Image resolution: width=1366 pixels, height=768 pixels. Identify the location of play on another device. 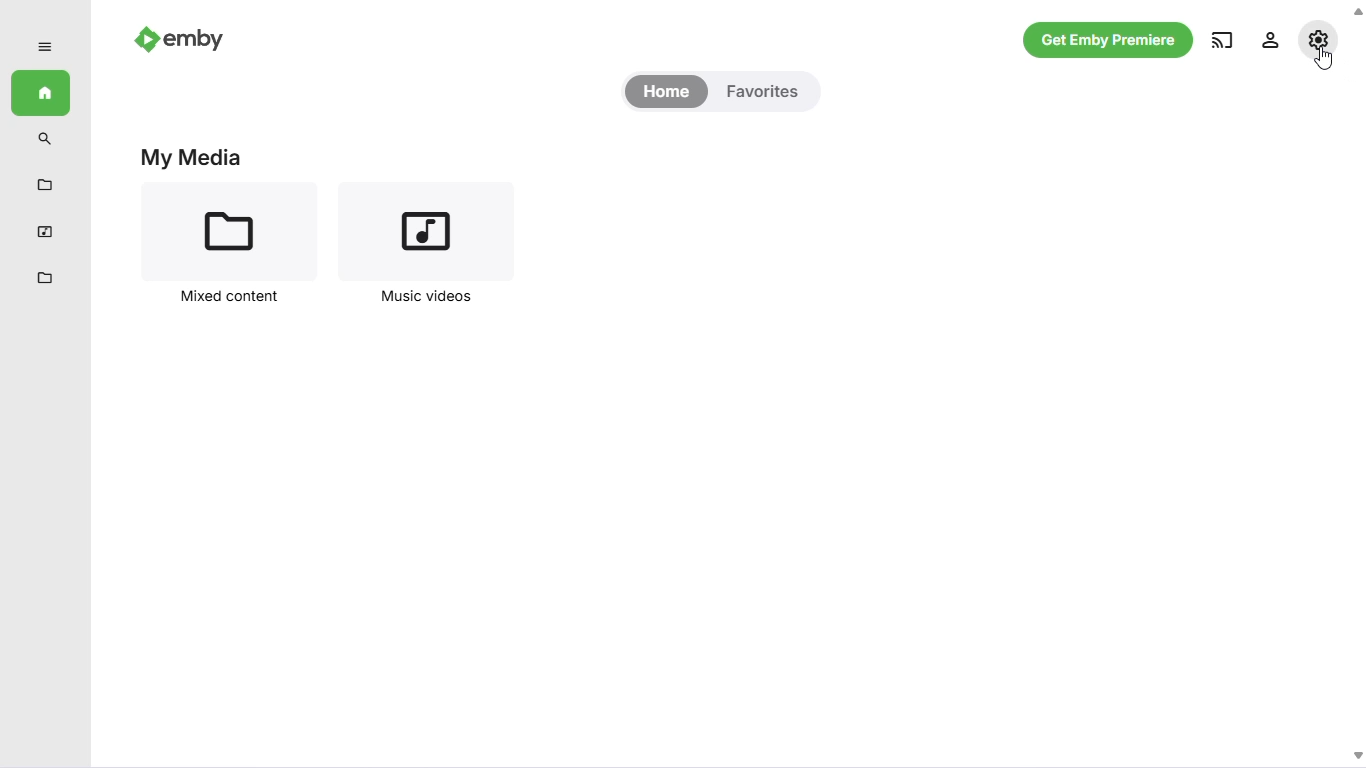
(1223, 39).